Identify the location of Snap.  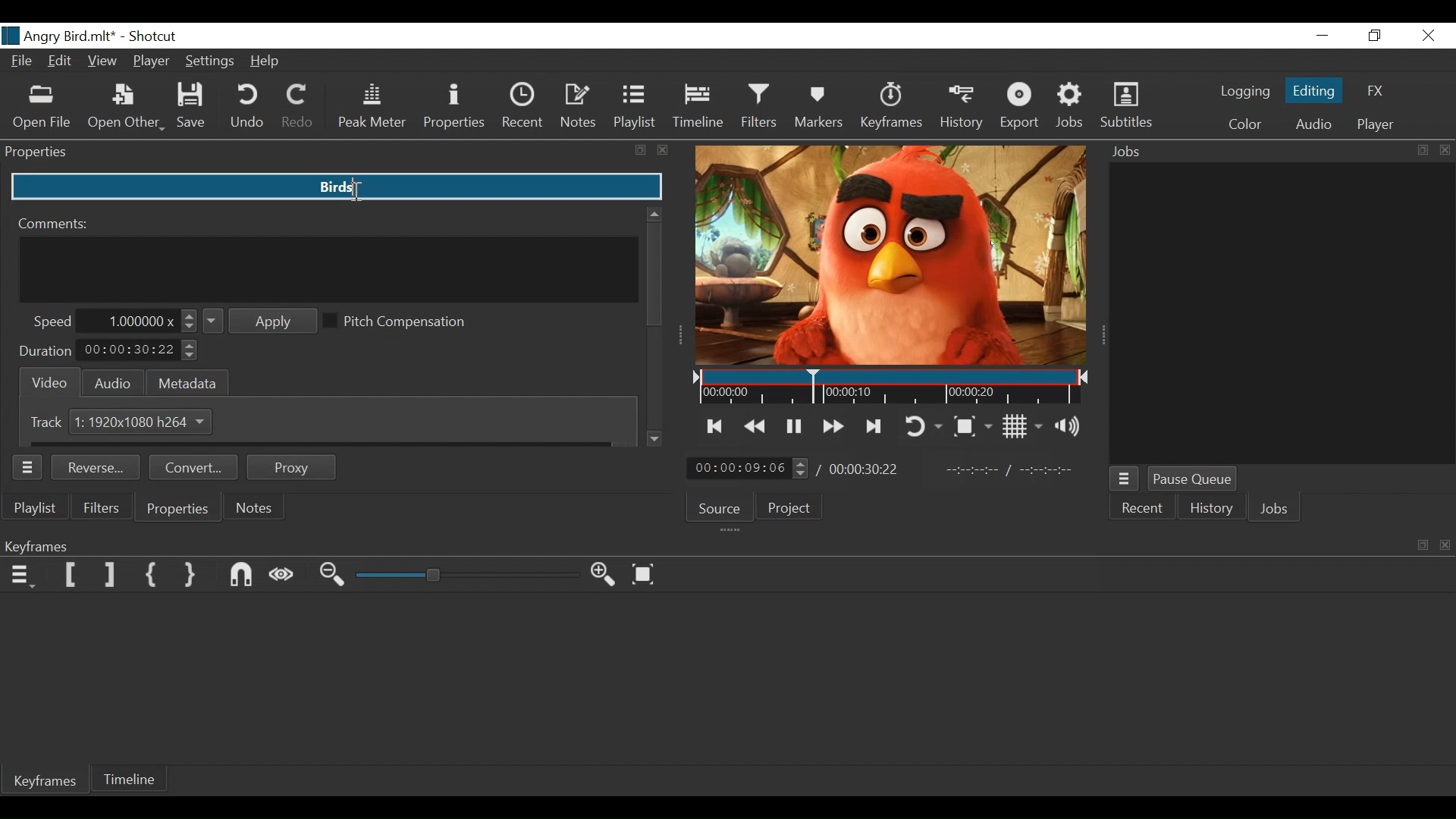
(243, 576).